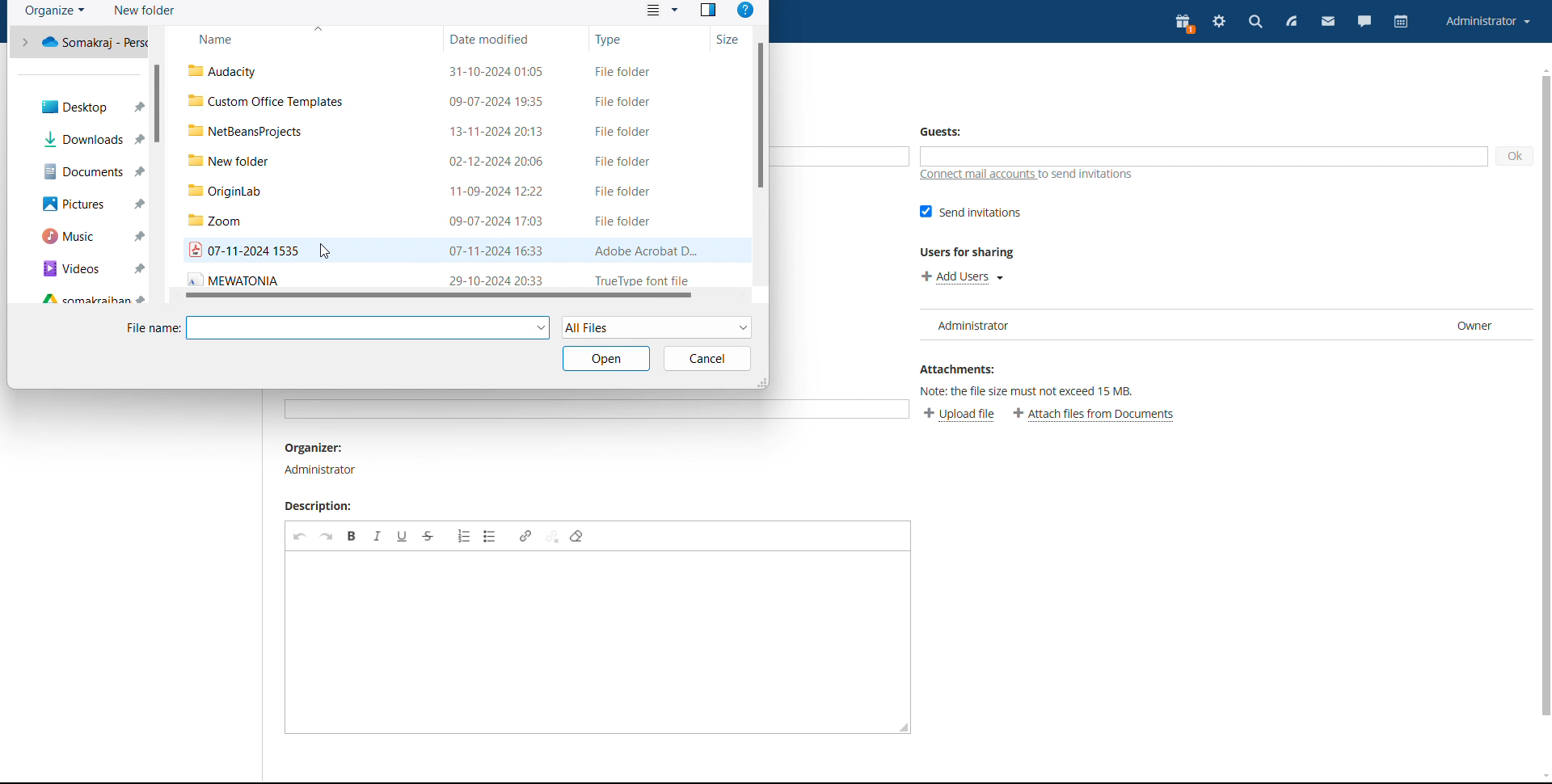  What do you see at coordinates (1029, 390) in the screenshot?
I see `note: the file size must not exceed 15MB.` at bounding box center [1029, 390].